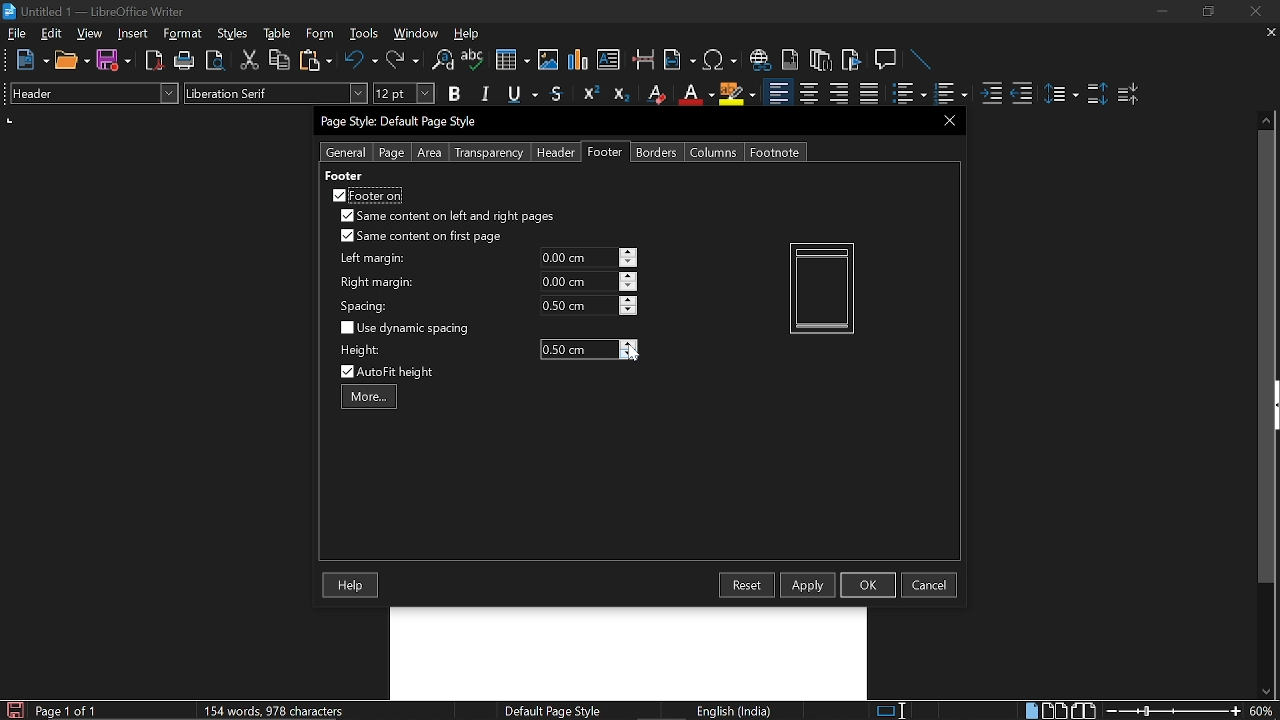  I want to click on Insert footnote, so click(821, 60).